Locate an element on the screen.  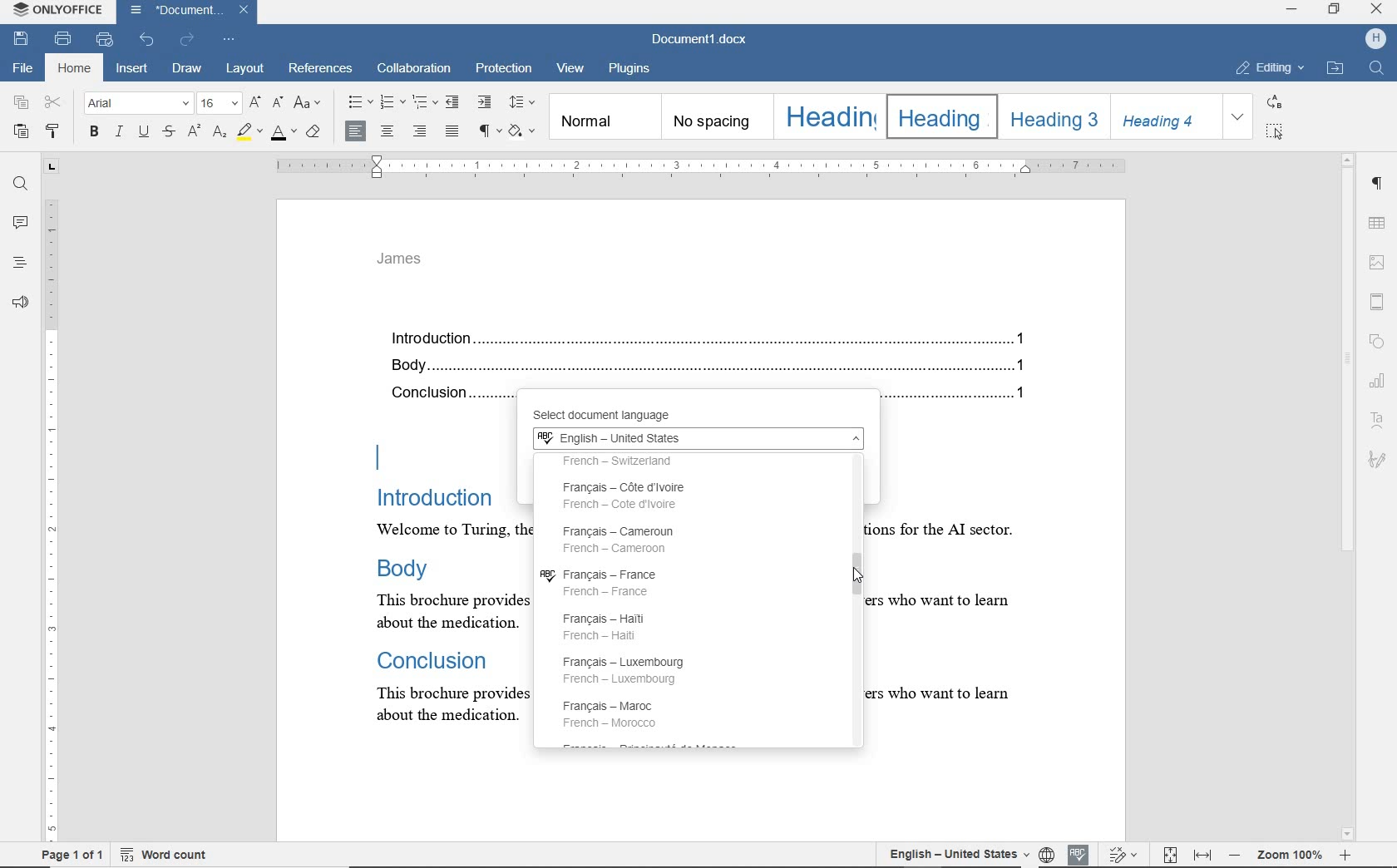
view is located at coordinates (573, 71).